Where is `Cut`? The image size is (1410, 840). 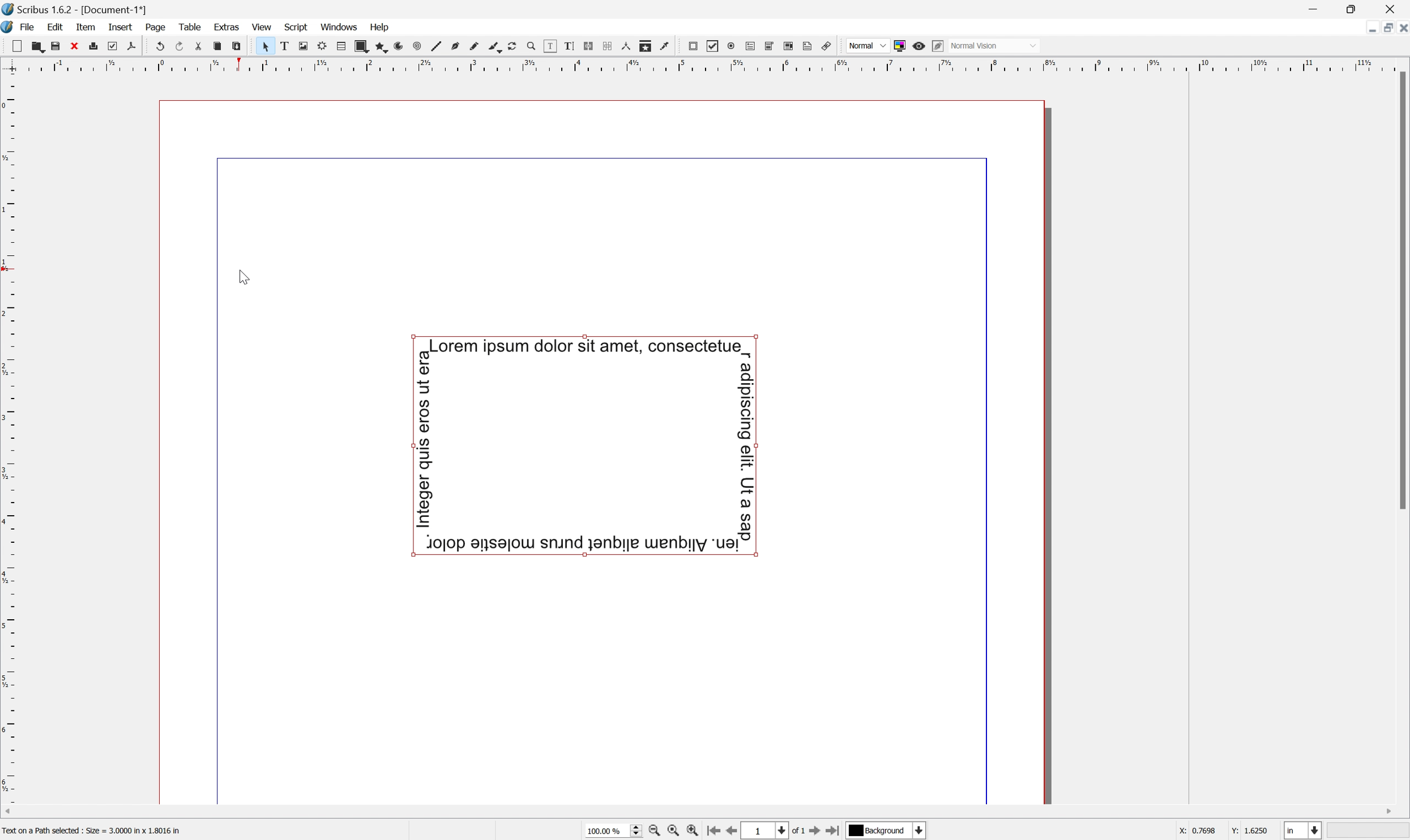
Cut is located at coordinates (198, 44).